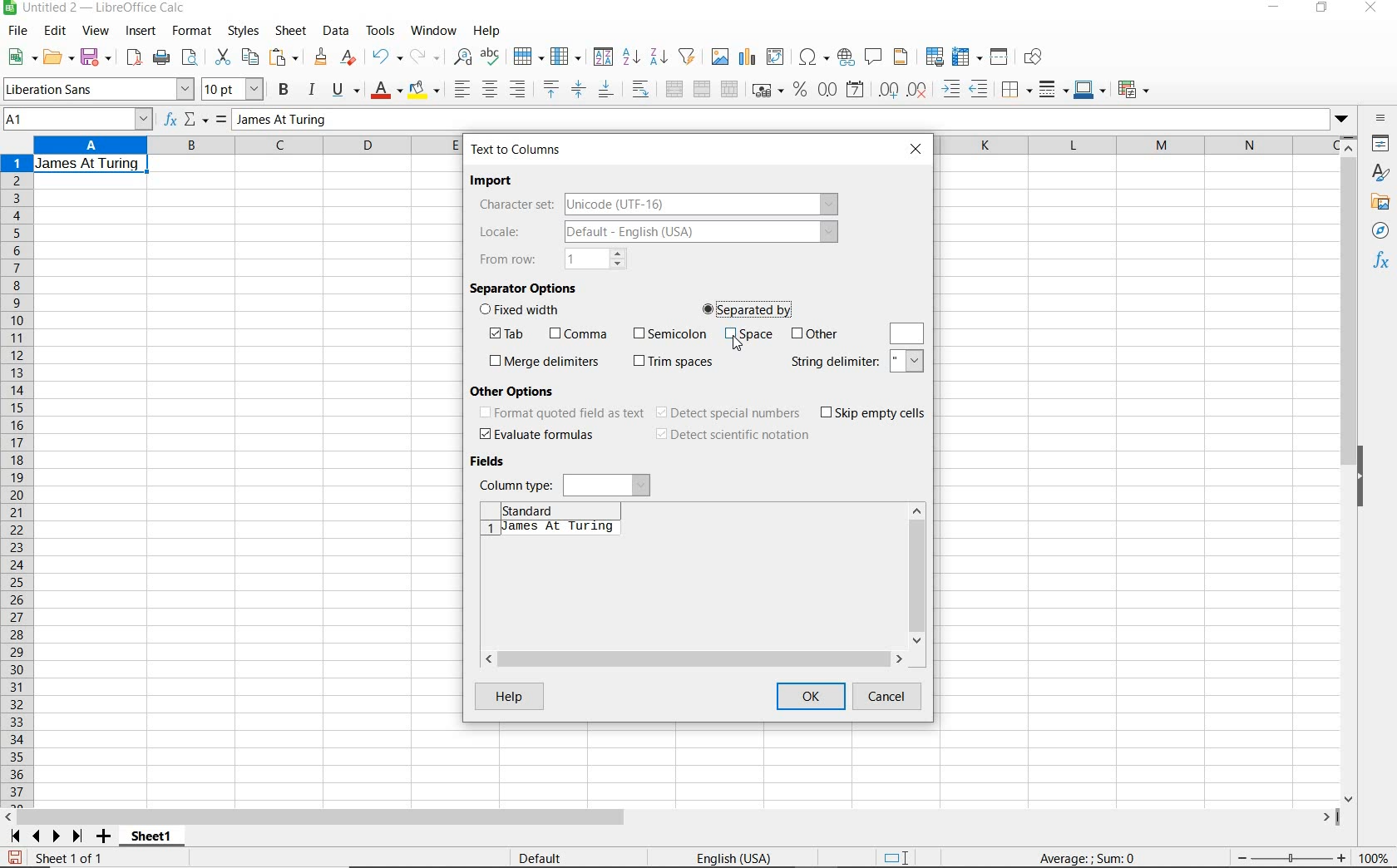 This screenshot has width=1397, height=868. I want to click on minimize, so click(1273, 9).